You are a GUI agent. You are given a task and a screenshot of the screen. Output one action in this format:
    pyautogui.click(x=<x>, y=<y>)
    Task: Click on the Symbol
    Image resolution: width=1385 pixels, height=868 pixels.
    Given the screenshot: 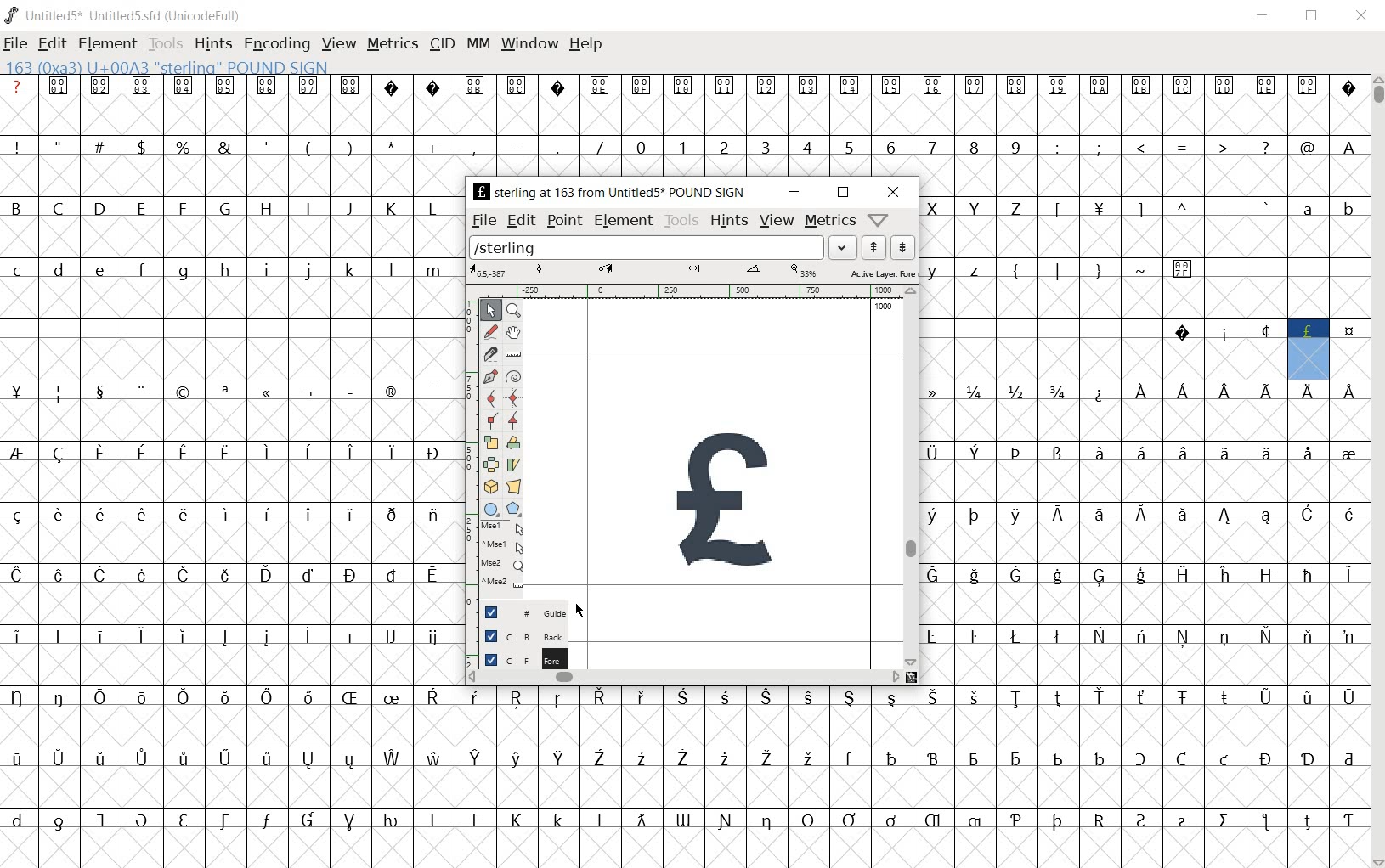 What is the action you would take?
    pyautogui.click(x=1017, y=698)
    